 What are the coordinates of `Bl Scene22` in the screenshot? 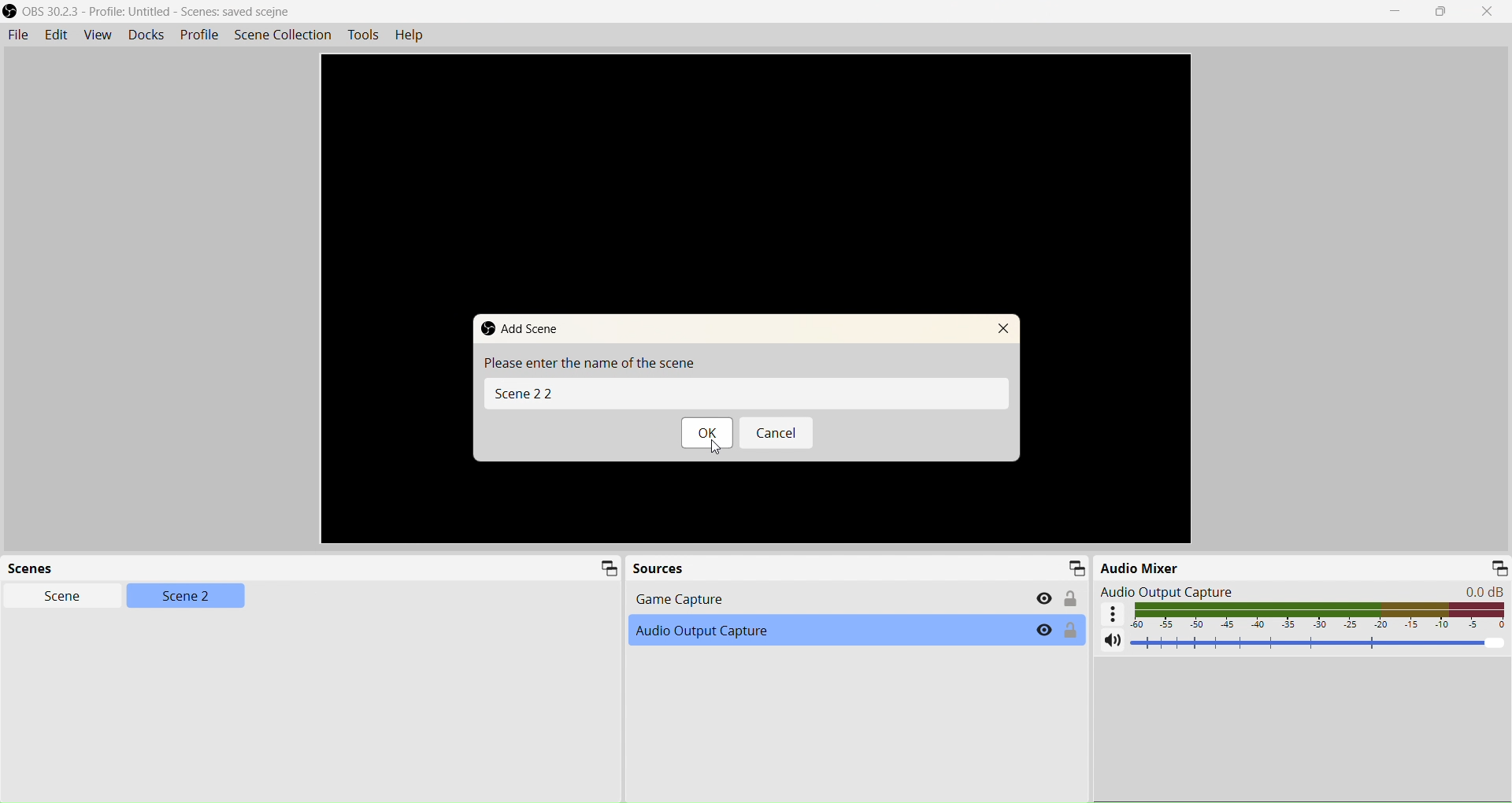 It's located at (523, 392).